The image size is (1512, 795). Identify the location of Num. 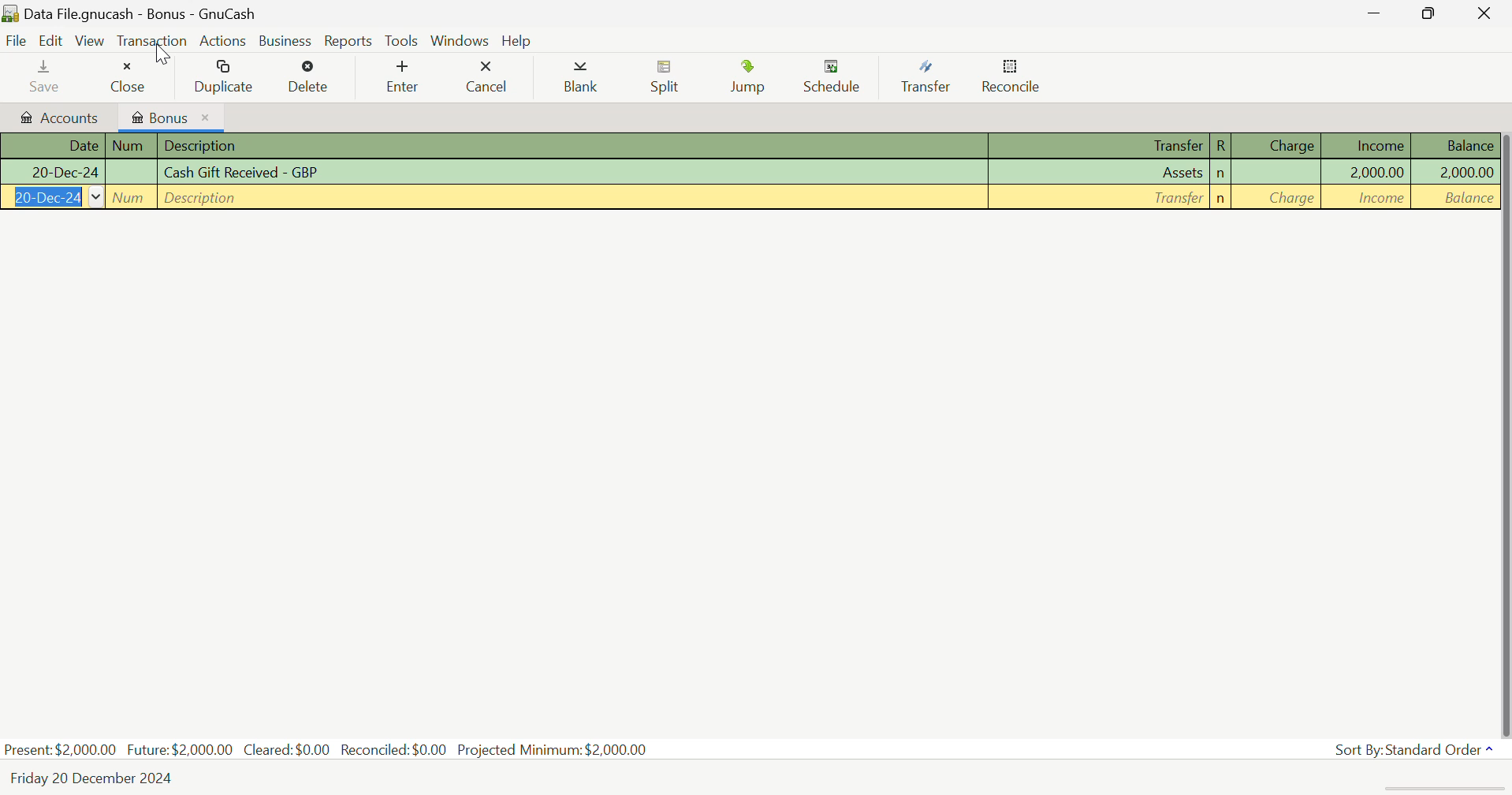
(132, 146).